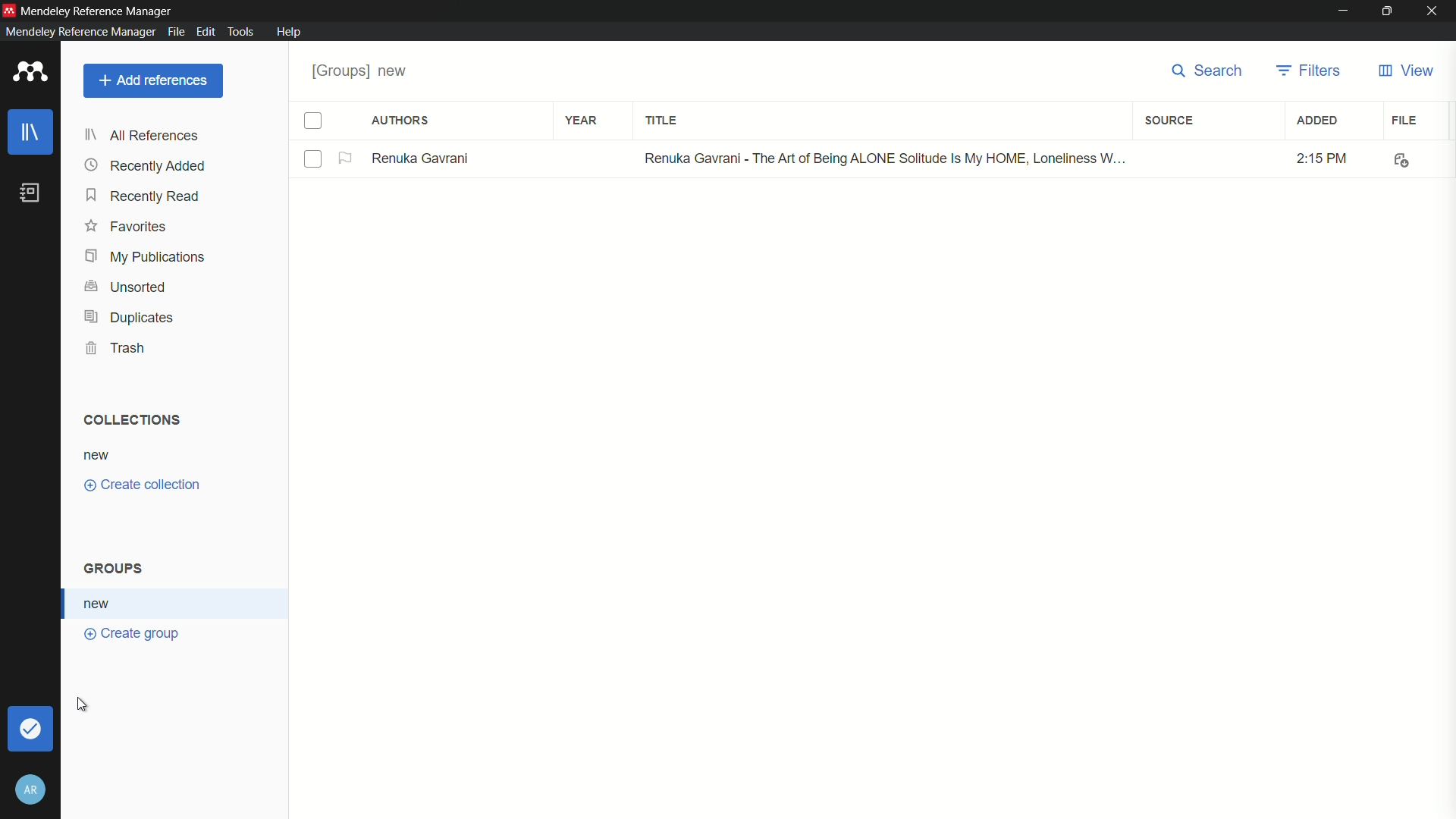 Image resolution: width=1456 pixels, height=819 pixels. Describe the element at coordinates (583, 121) in the screenshot. I see `year` at that location.